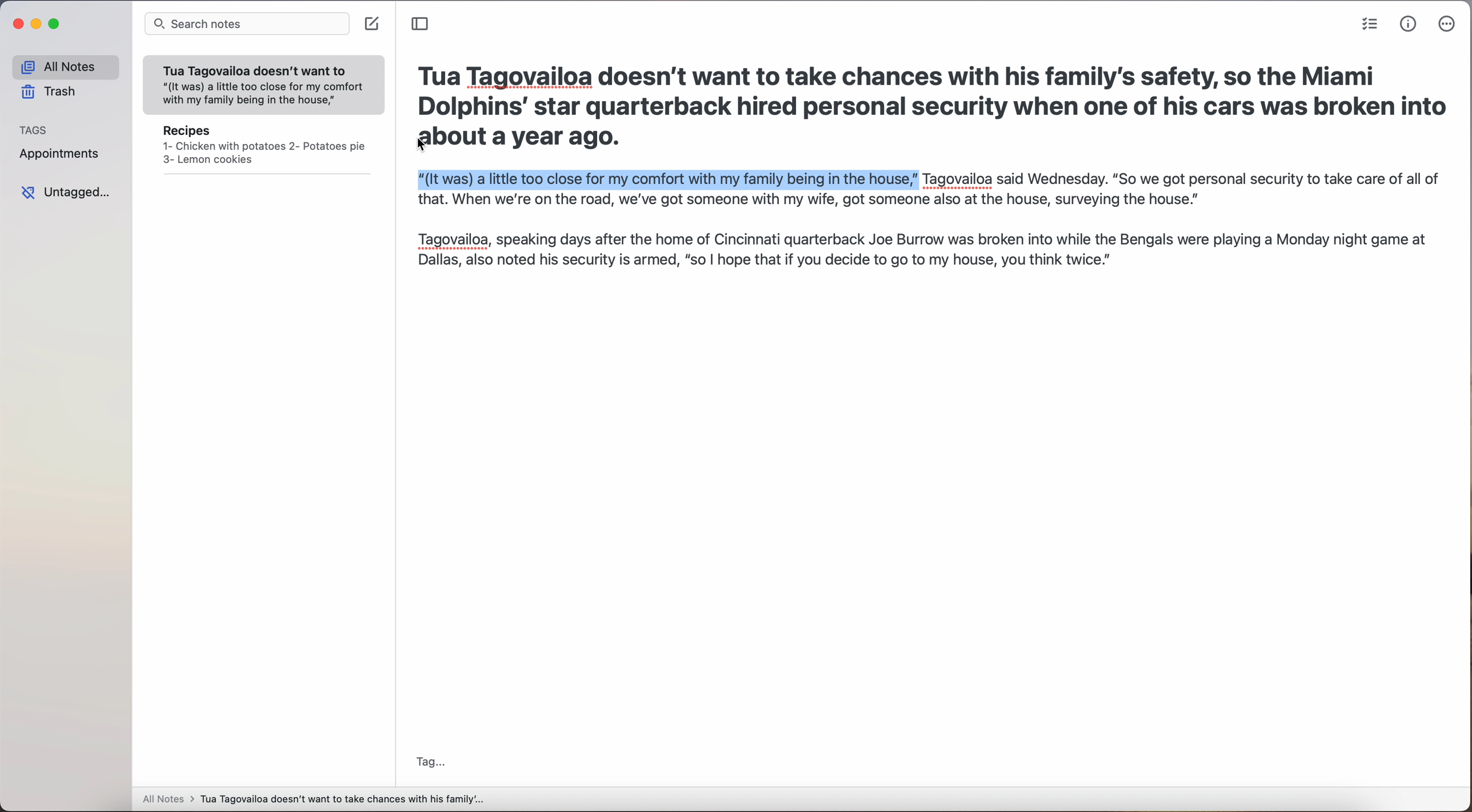 This screenshot has width=1472, height=812. I want to click on Appointments tags, so click(60, 153).